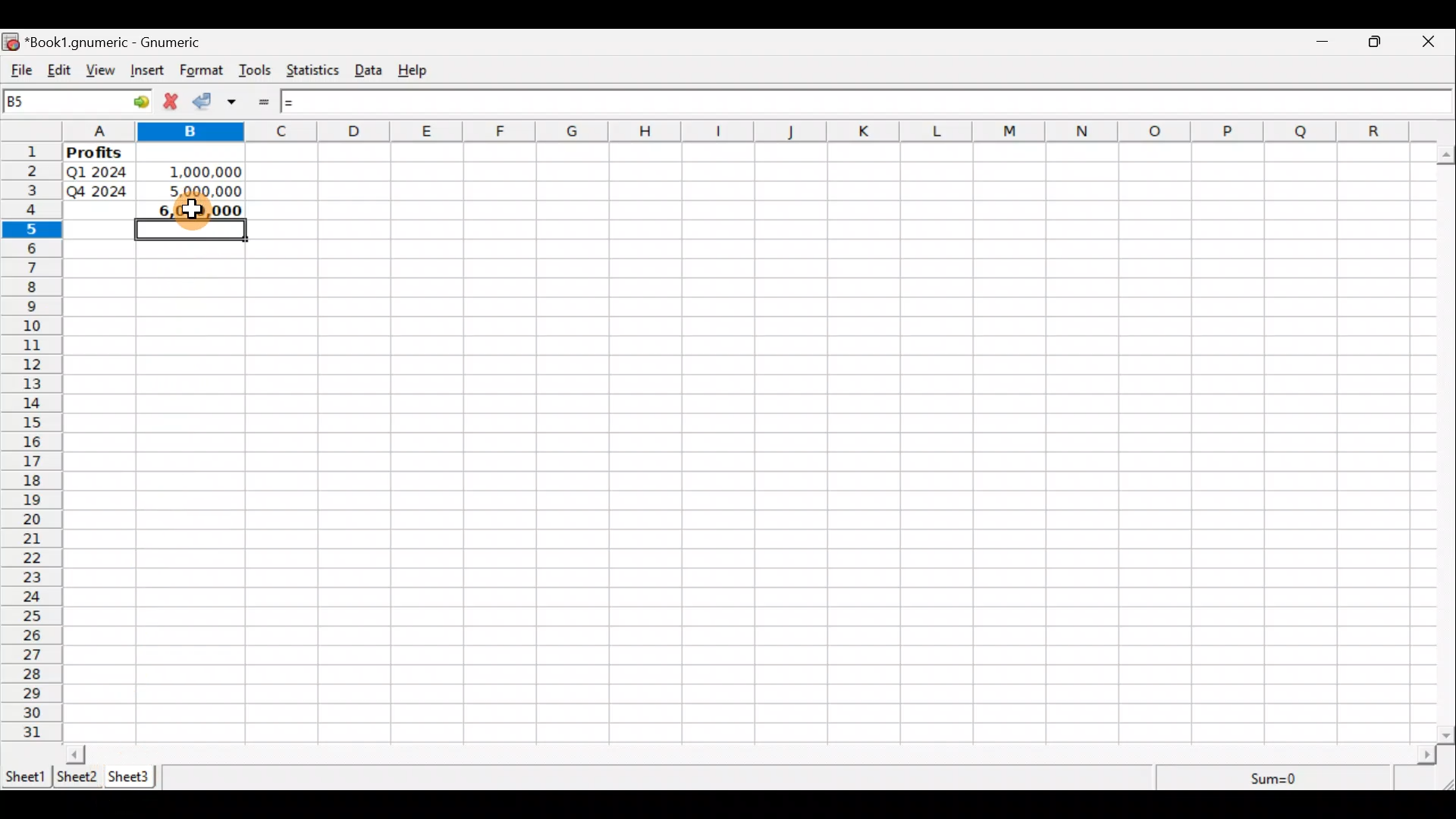  Describe the element at coordinates (99, 191) in the screenshot. I see `Q4 2024` at that location.